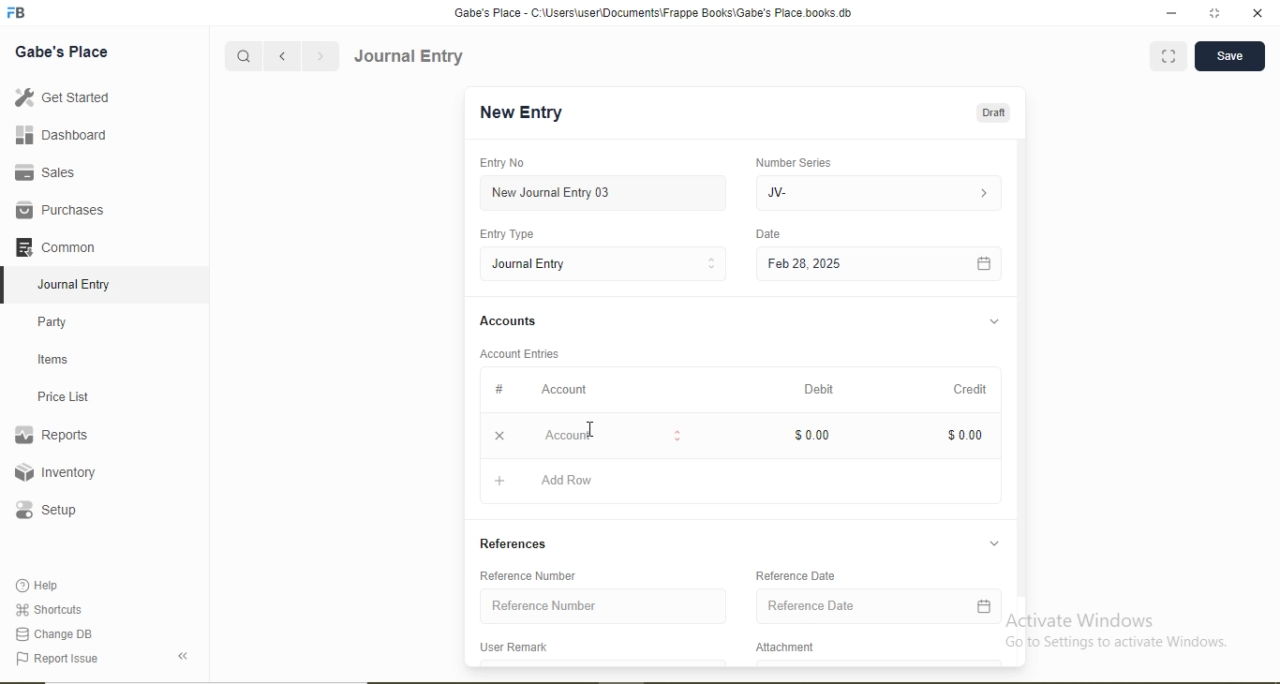  What do you see at coordinates (45, 510) in the screenshot?
I see `Setup` at bounding box center [45, 510].